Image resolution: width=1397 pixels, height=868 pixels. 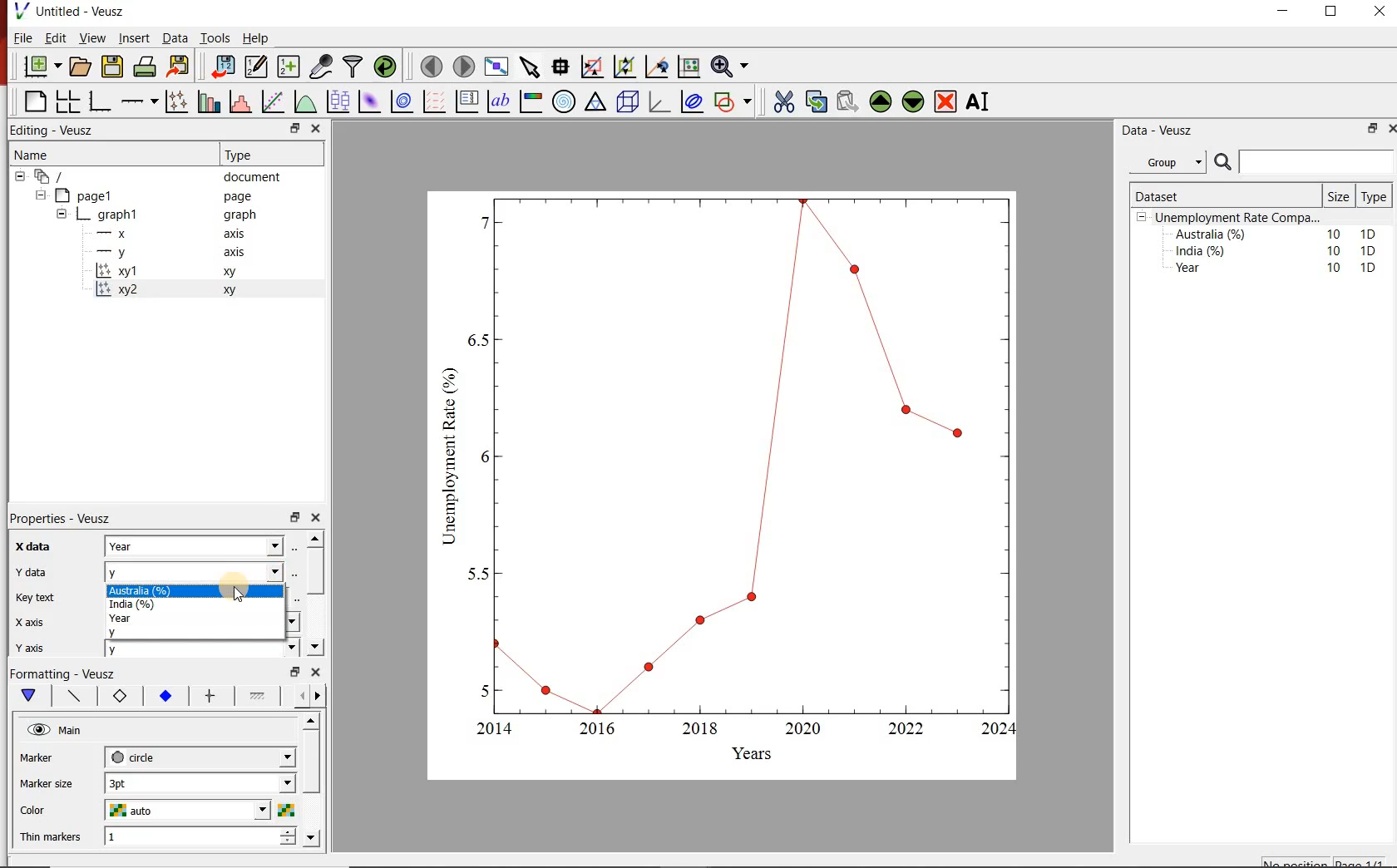 What do you see at coordinates (1333, 15) in the screenshot?
I see `maximise` at bounding box center [1333, 15].